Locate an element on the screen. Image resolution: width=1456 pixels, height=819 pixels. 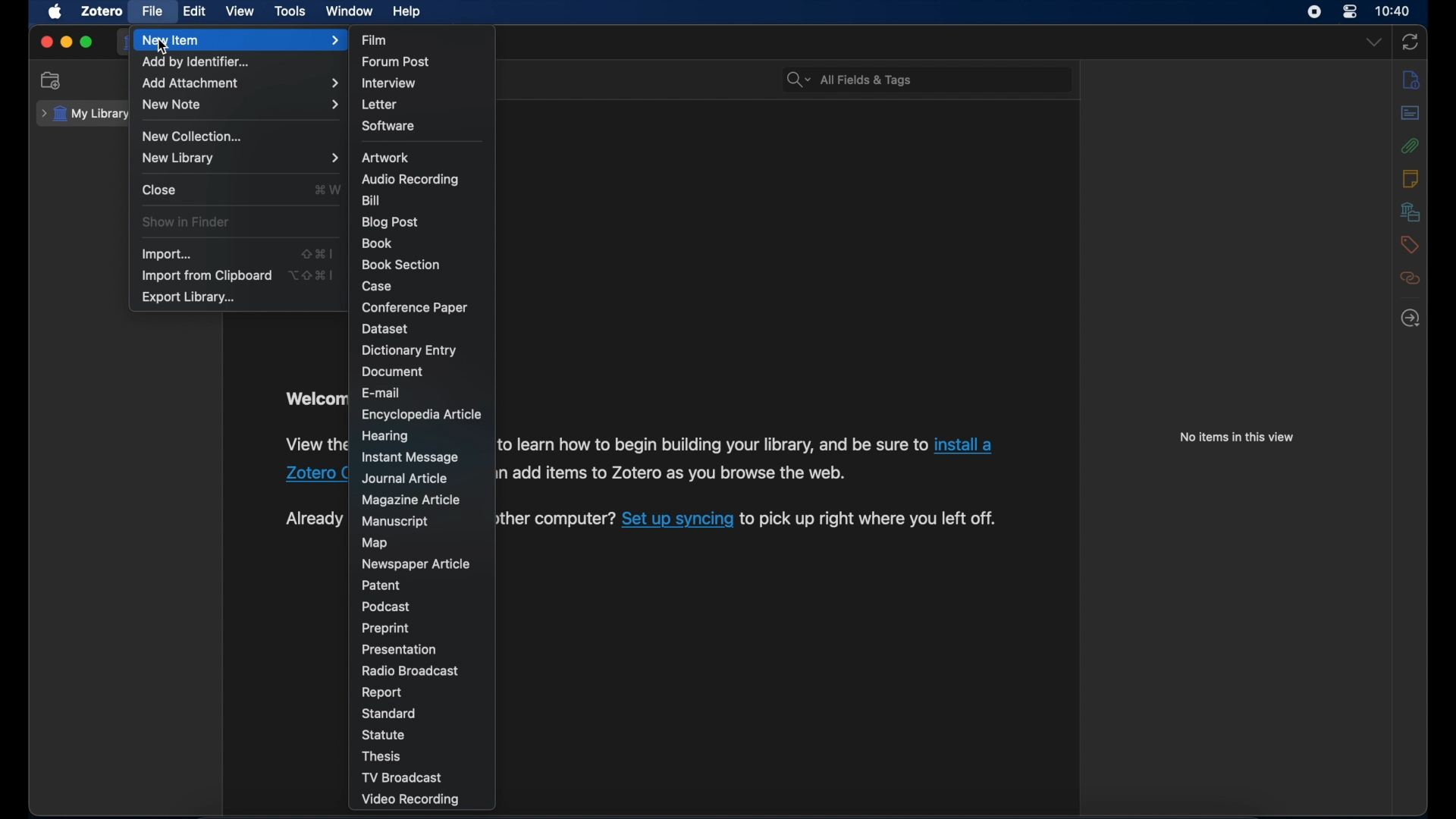
maximize is located at coordinates (86, 42).